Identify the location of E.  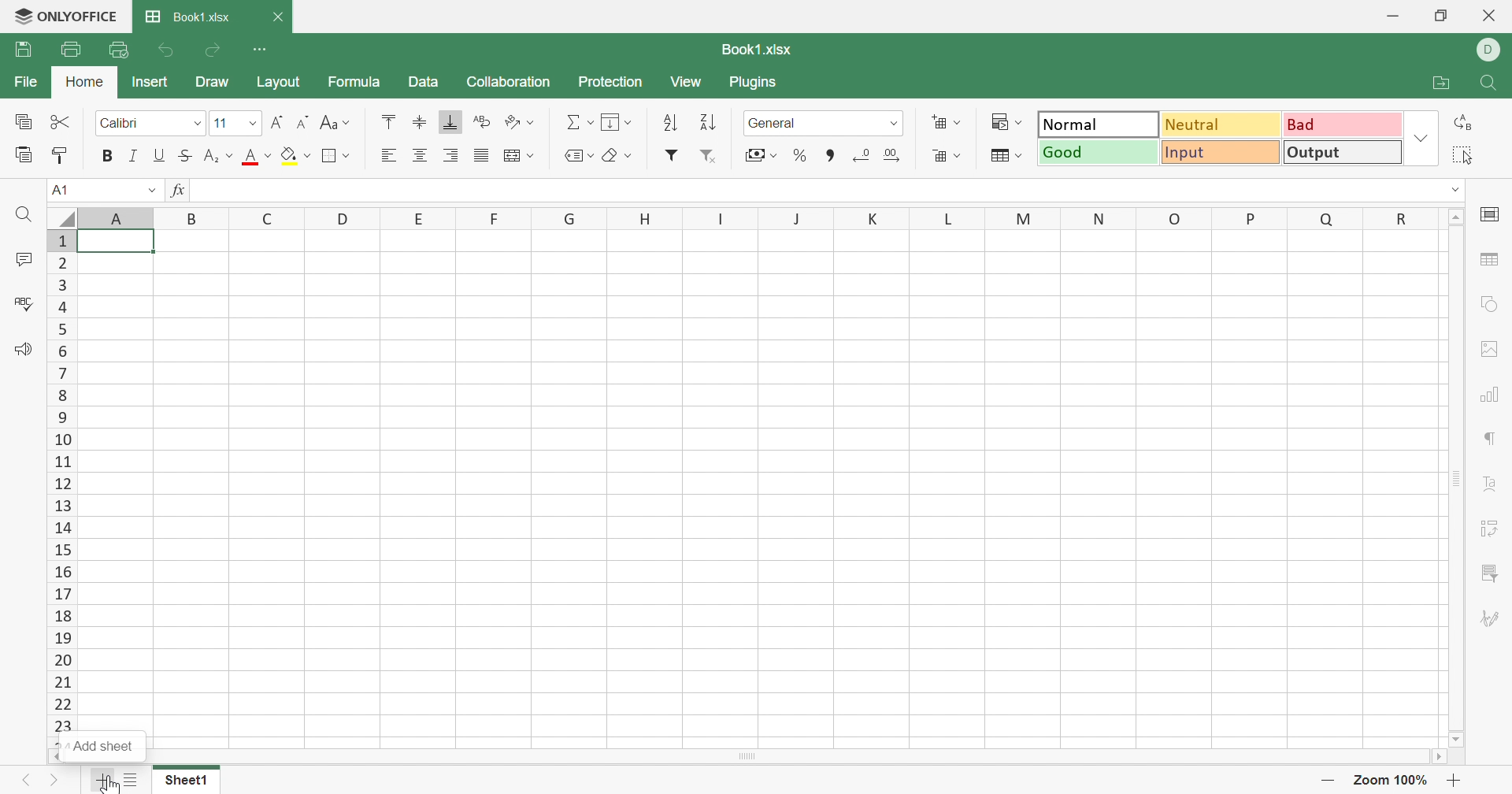
(417, 217).